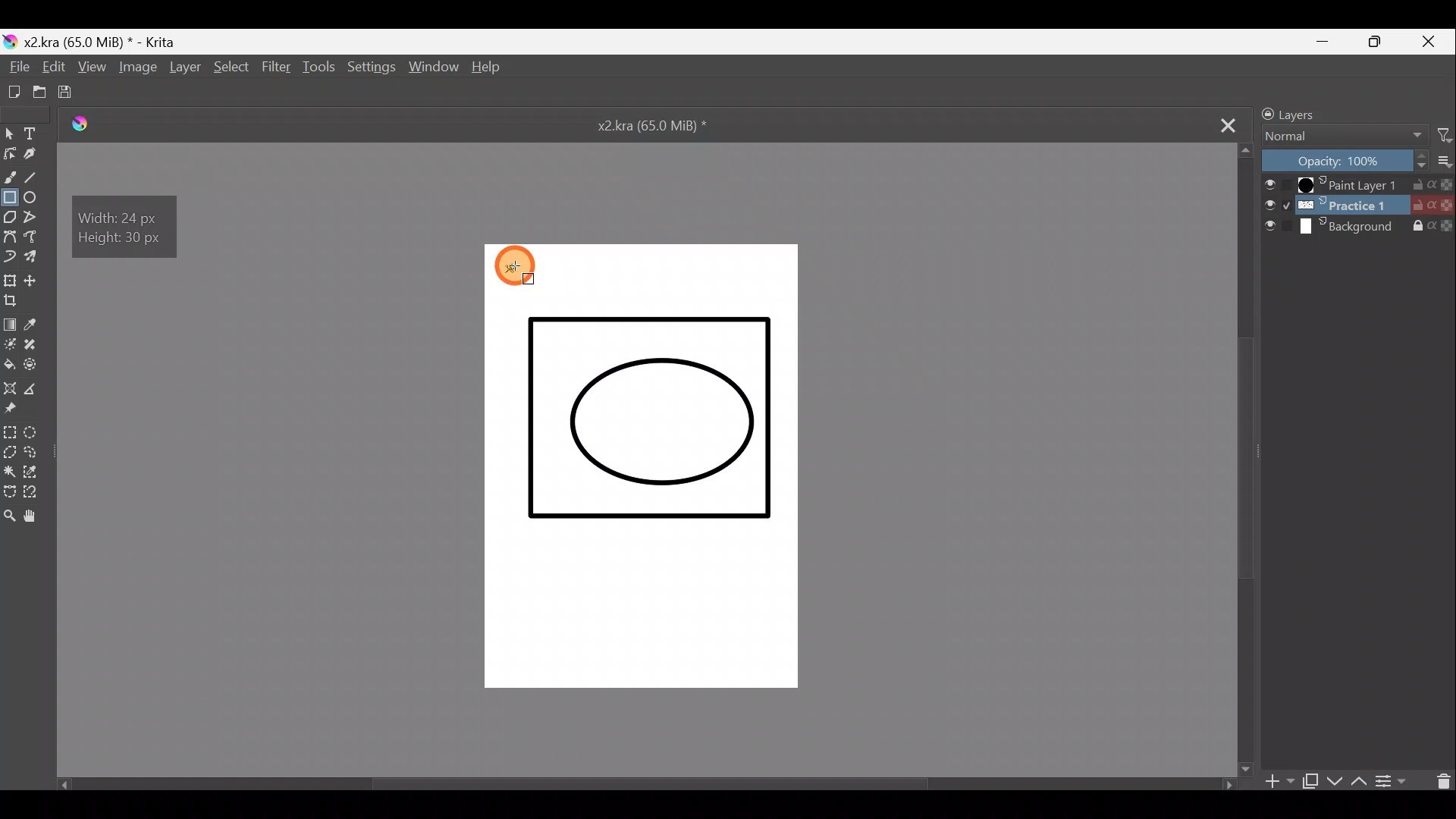 The height and width of the screenshot is (819, 1456). I want to click on Ellipse tool, so click(36, 200).